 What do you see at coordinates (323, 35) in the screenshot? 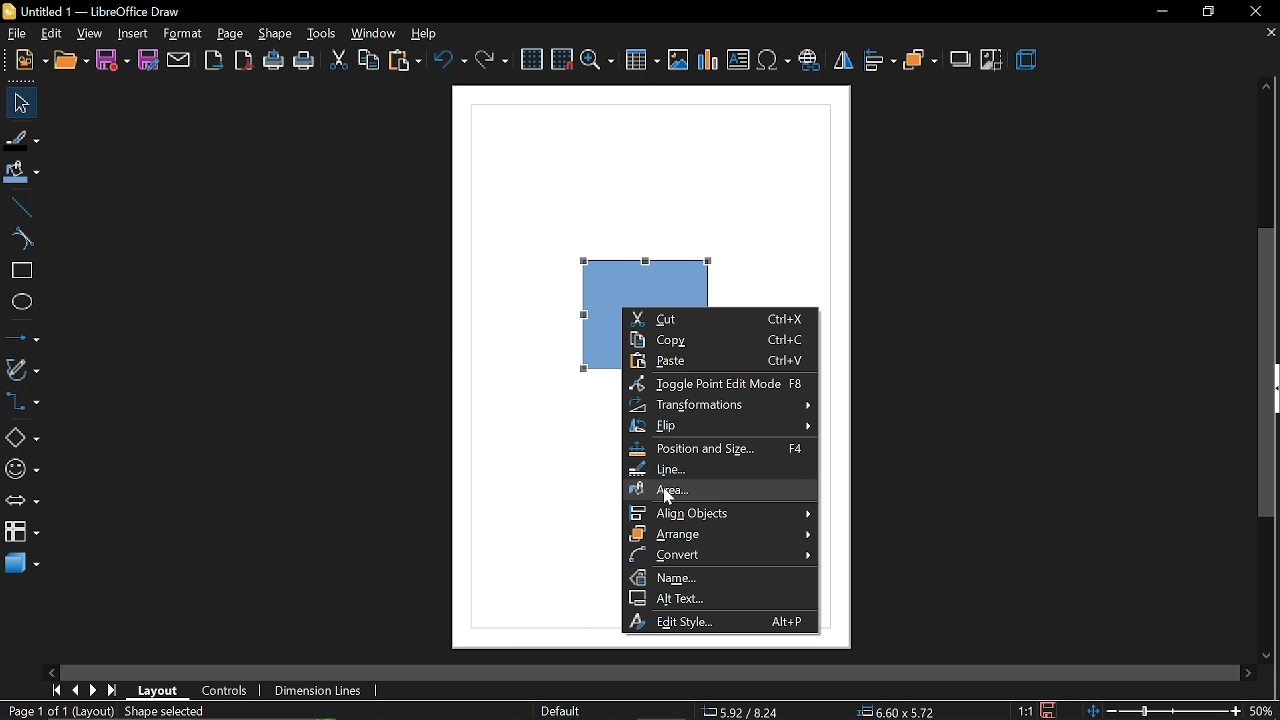
I see `tools` at bounding box center [323, 35].